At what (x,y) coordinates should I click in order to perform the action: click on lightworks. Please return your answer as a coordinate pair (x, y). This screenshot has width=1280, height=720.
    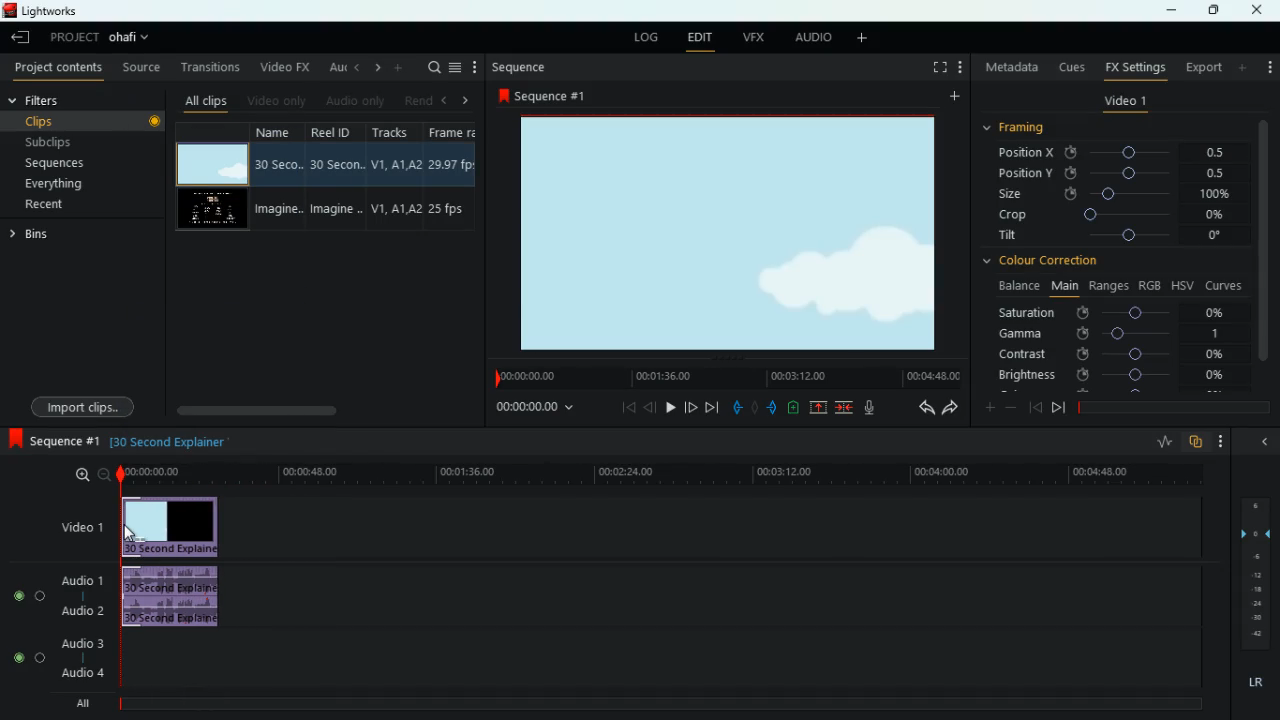
    Looking at the image, I should click on (44, 12).